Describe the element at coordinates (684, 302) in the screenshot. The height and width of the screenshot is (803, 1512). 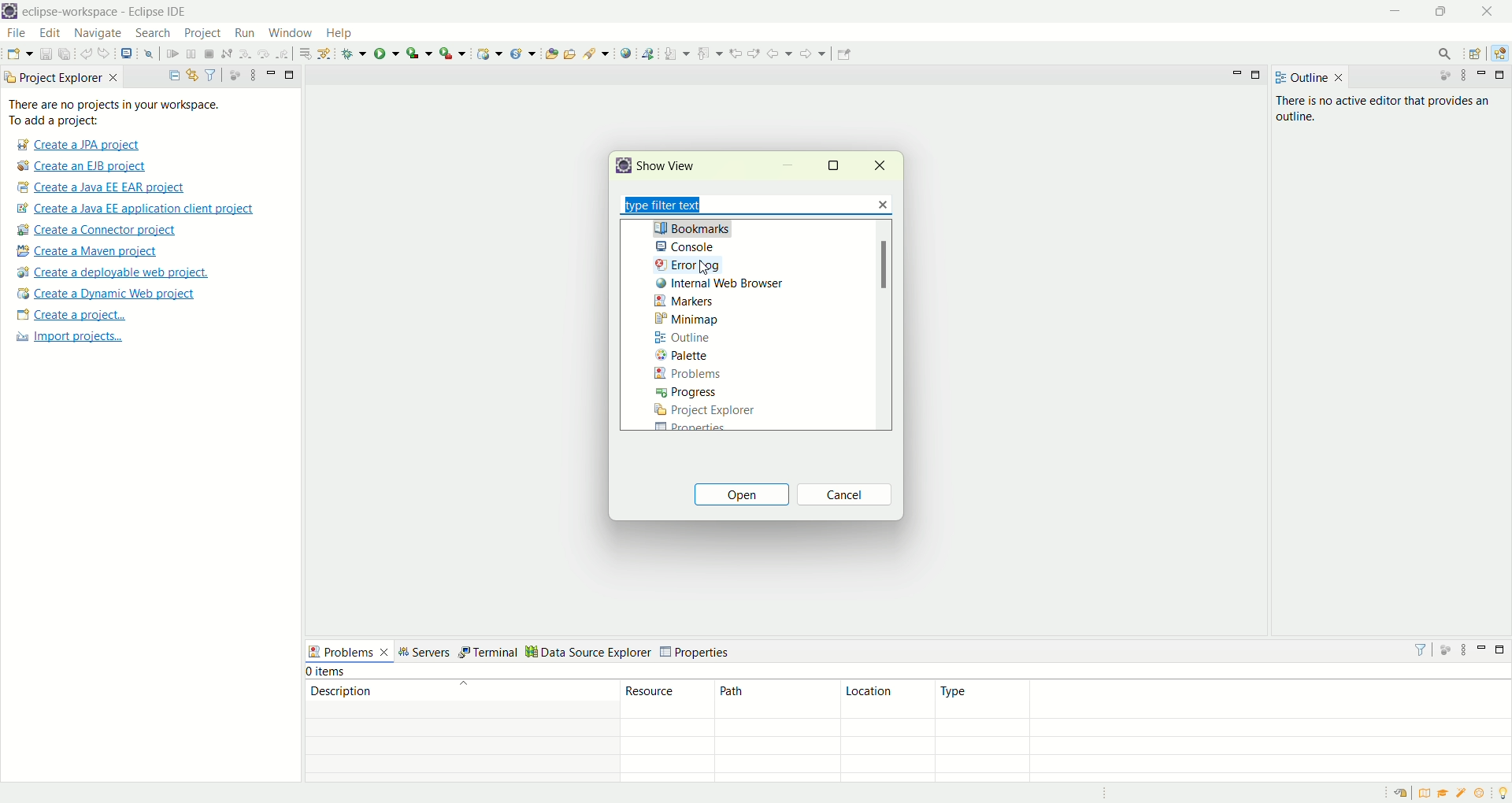
I see `markers` at that location.